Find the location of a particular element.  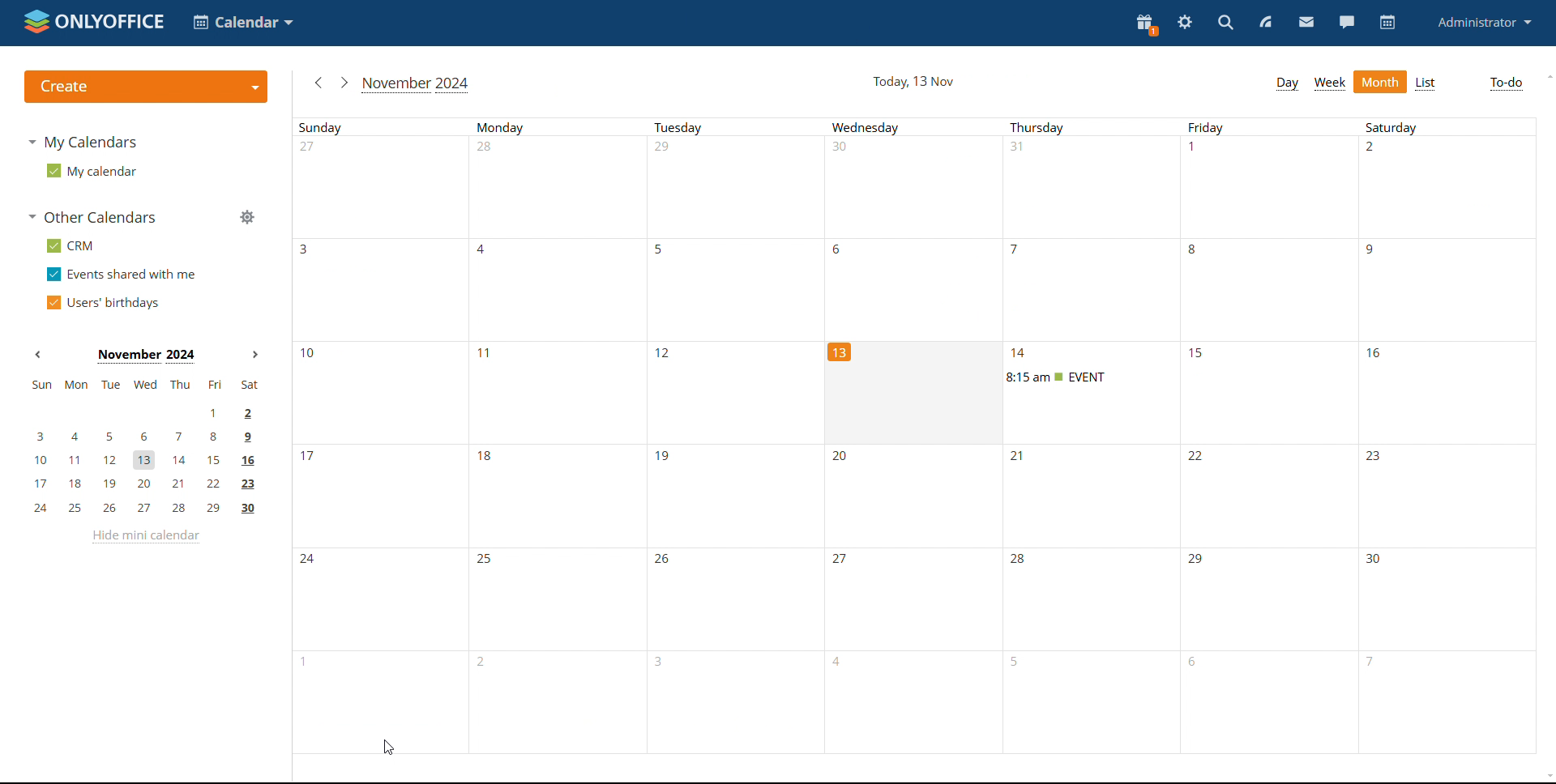

administrator is located at coordinates (1483, 21).